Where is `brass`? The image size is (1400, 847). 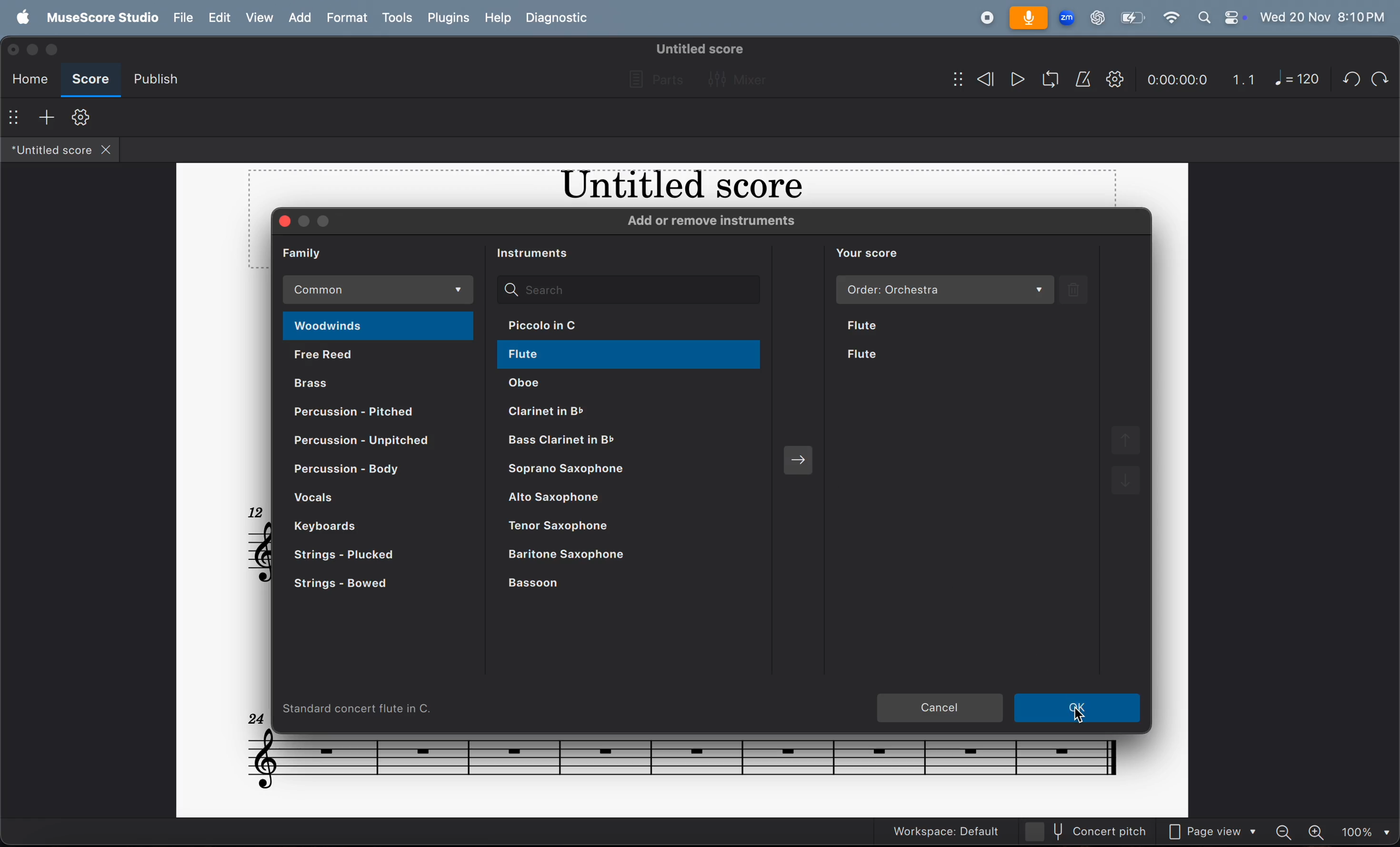
brass is located at coordinates (381, 383).